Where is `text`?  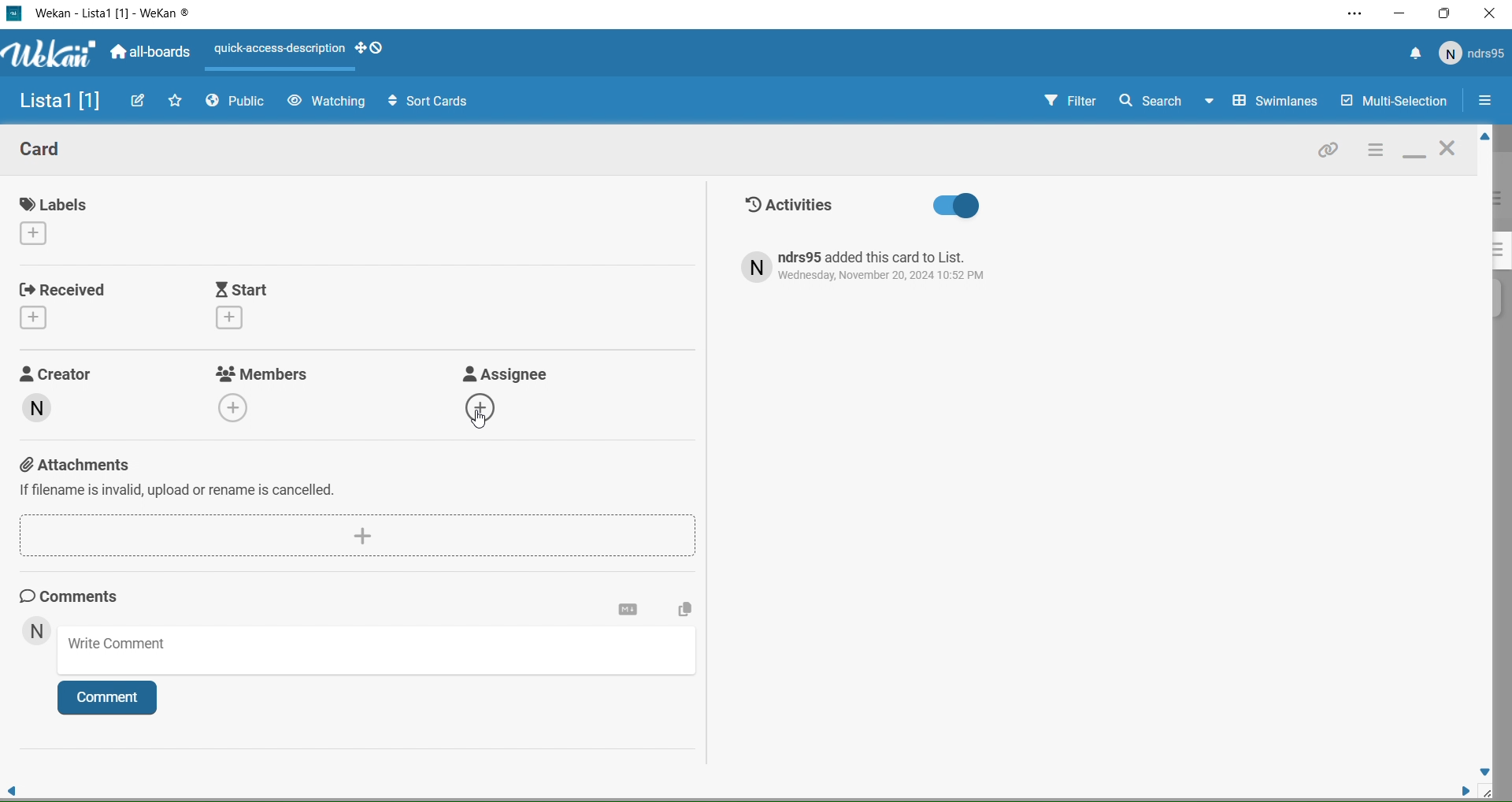
text is located at coordinates (879, 267).